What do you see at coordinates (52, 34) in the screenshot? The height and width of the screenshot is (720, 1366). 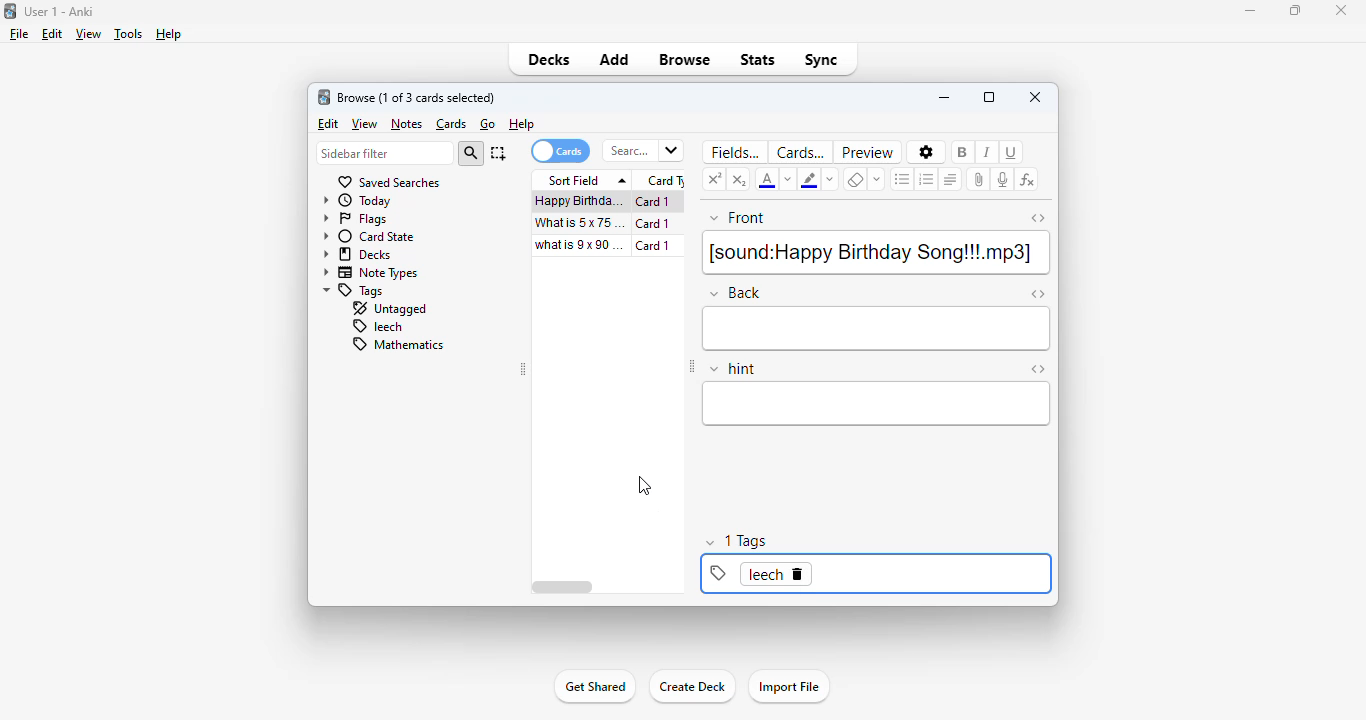 I see `edit` at bounding box center [52, 34].